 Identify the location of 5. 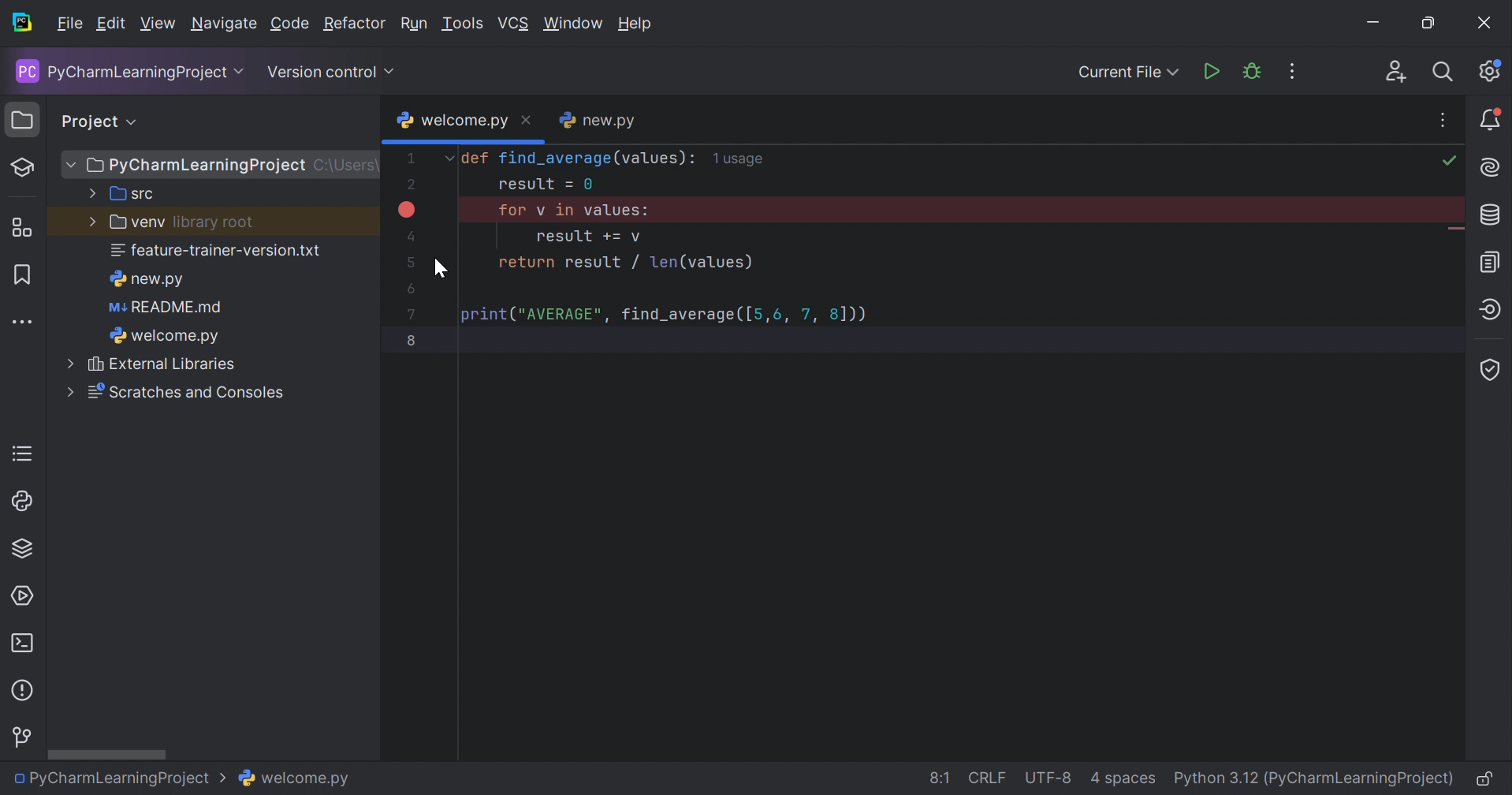
(410, 260).